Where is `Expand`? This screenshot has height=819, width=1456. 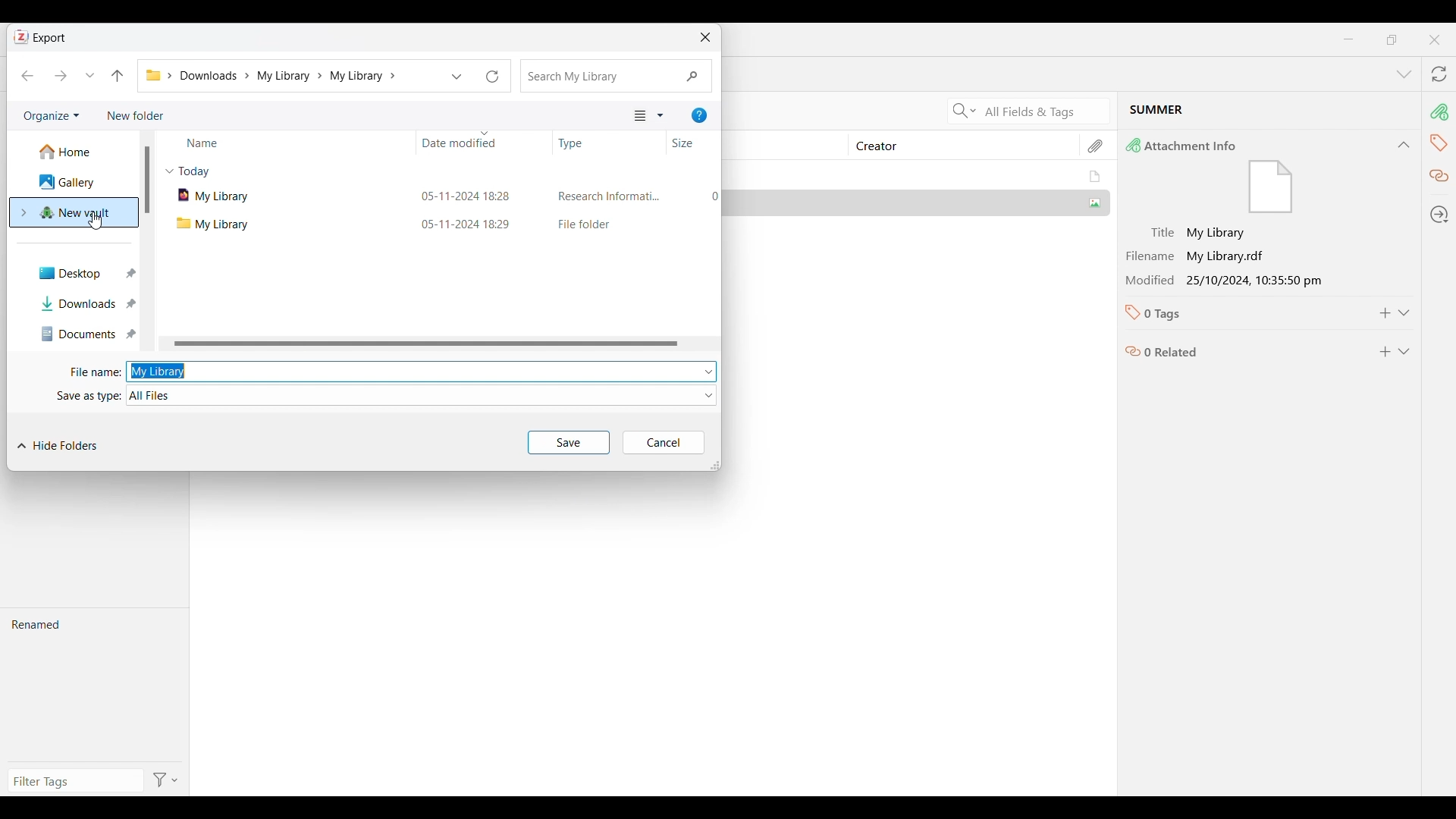
Expand is located at coordinates (1404, 313).